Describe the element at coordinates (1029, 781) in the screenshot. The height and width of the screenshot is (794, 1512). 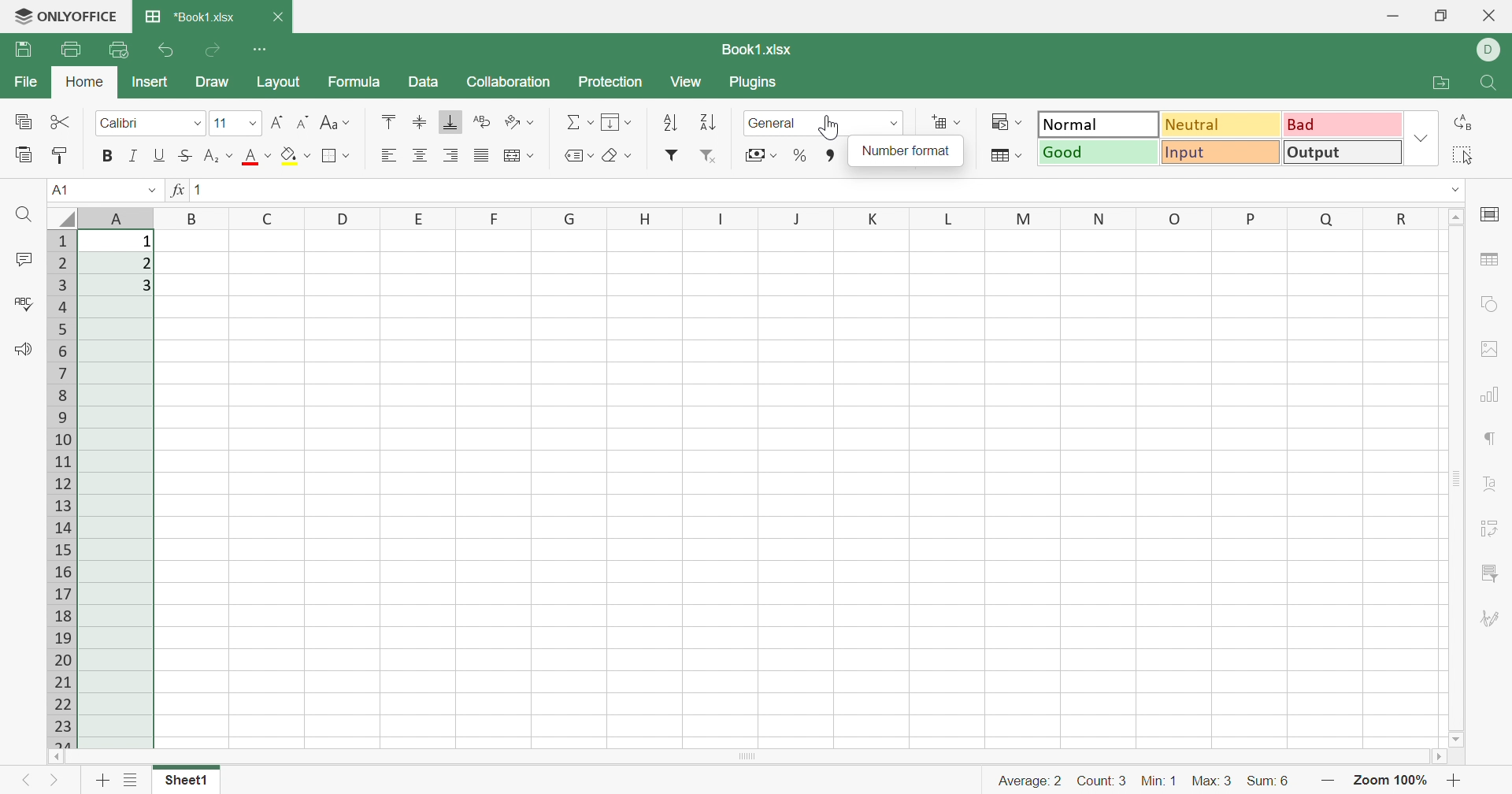
I see `Average: 2` at that location.